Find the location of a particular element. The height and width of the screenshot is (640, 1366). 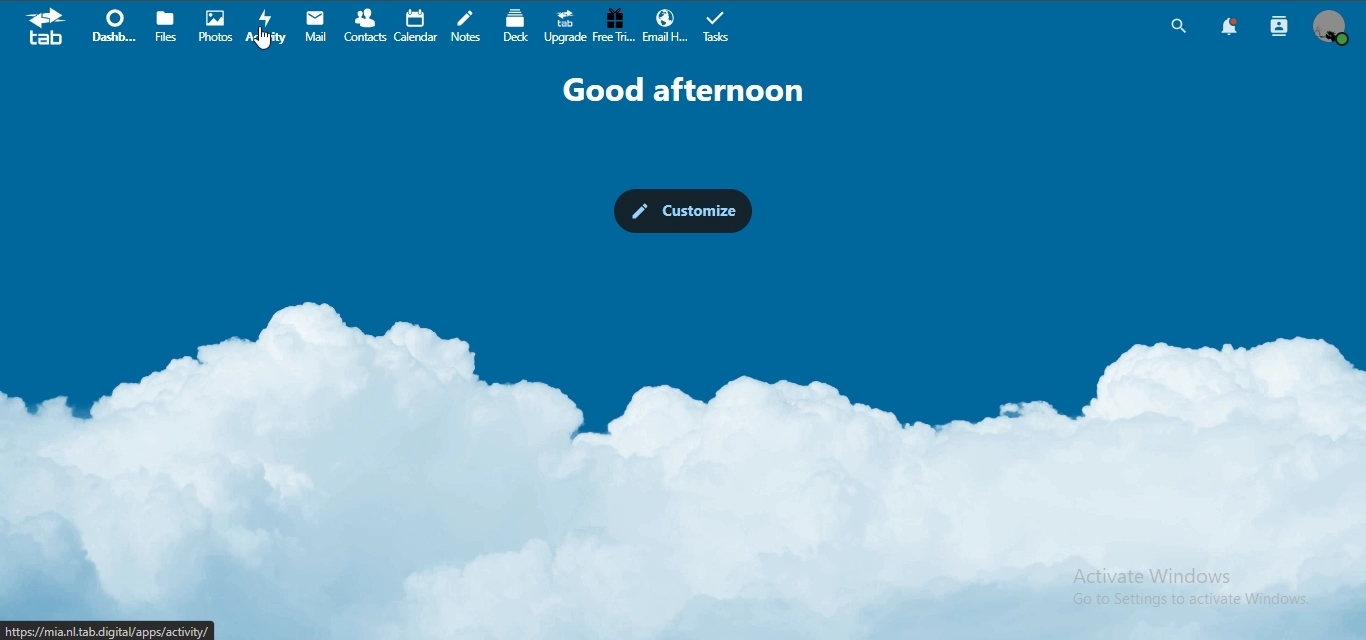

files is located at coordinates (166, 26).